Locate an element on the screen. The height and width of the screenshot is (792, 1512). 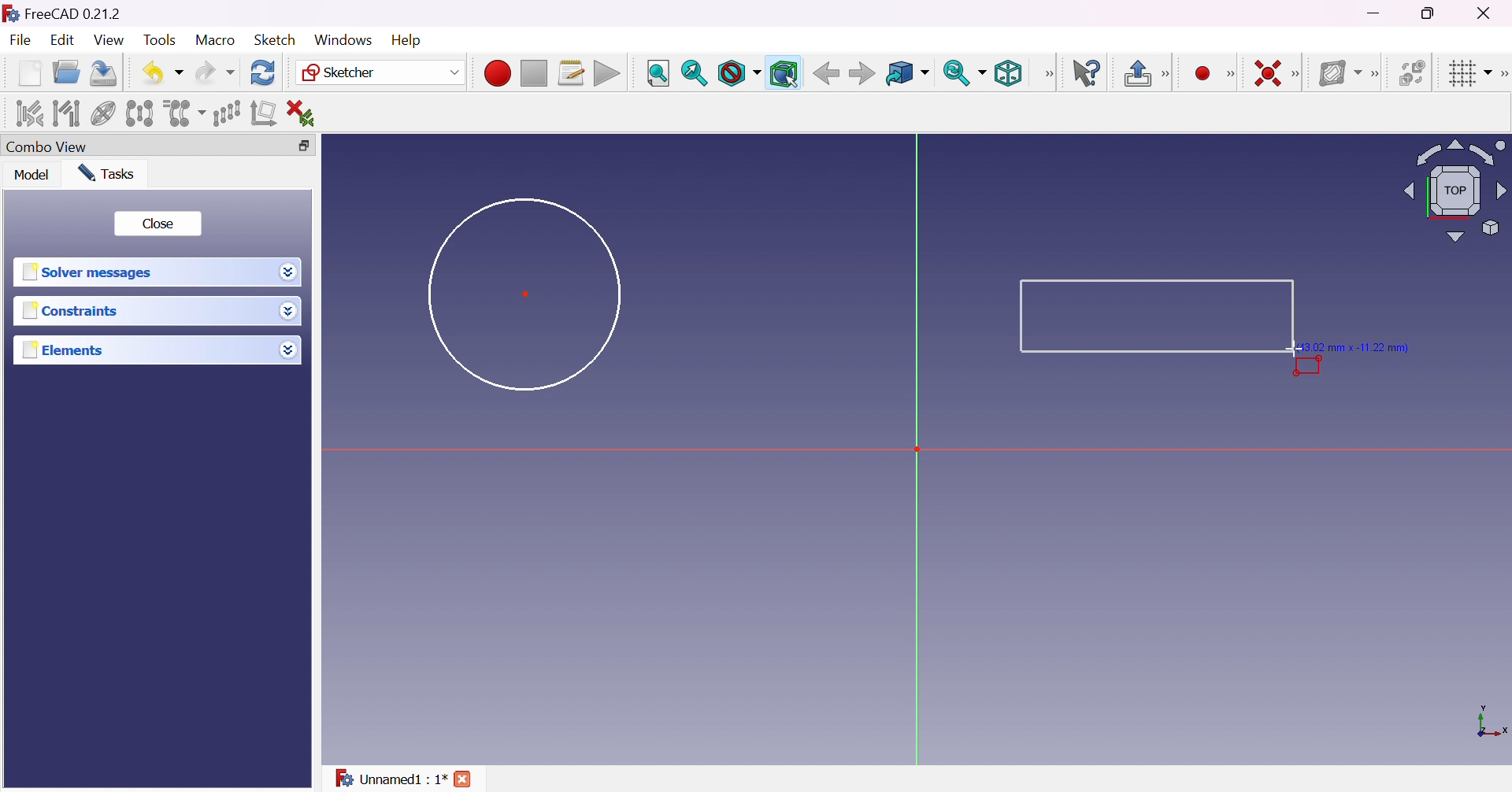
Remove axes alignment is located at coordinates (264, 114).